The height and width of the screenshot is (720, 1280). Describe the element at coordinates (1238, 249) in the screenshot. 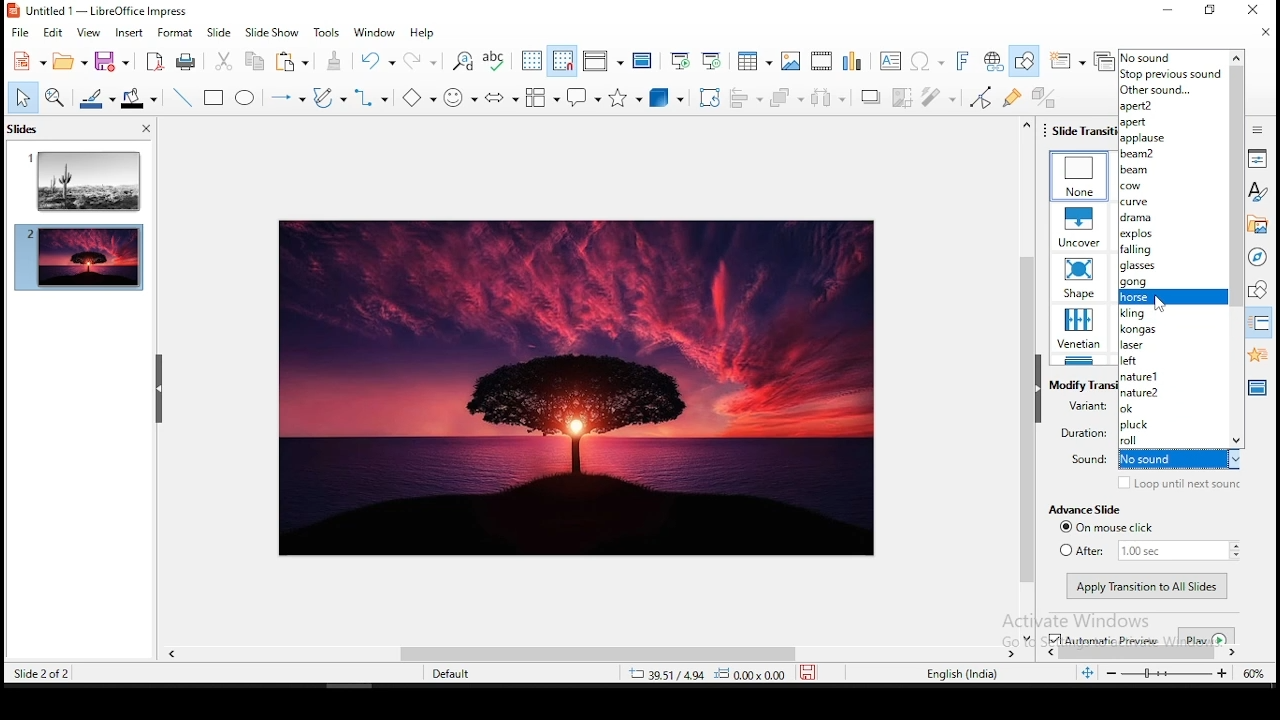

I see `scroll bar` at that location.